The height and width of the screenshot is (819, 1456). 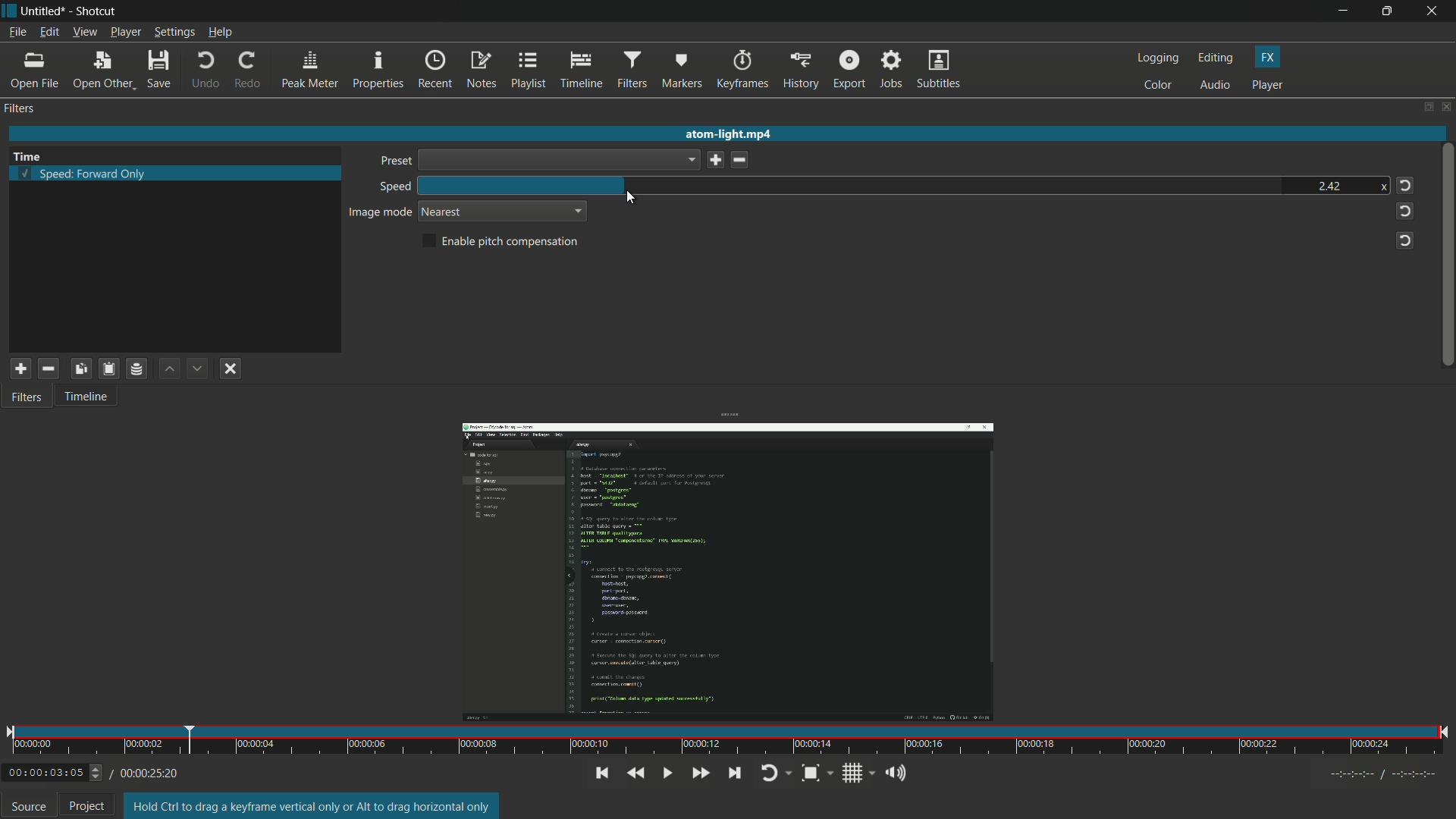 I want to click on peak meter, so click(x=308, y=71).